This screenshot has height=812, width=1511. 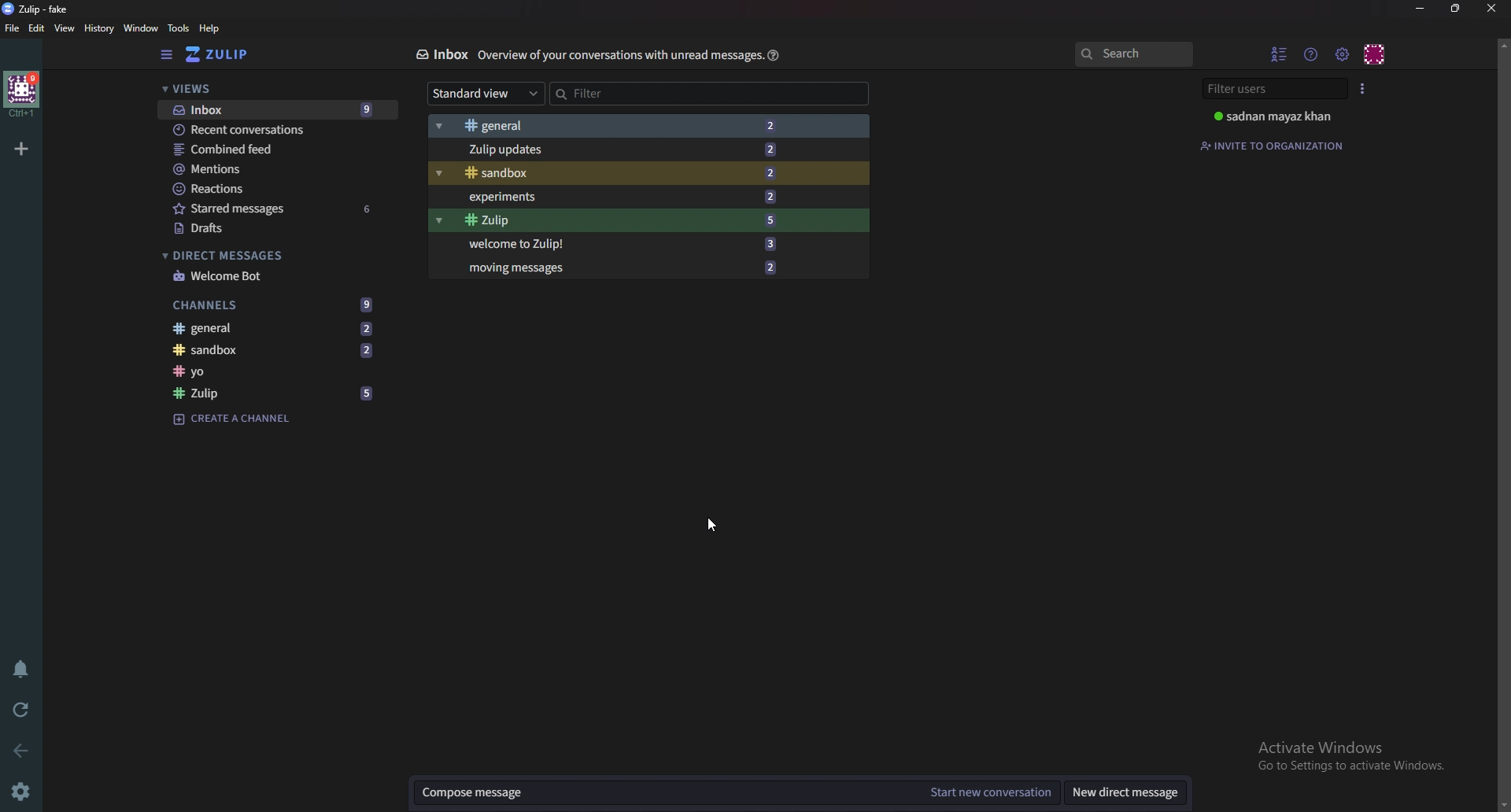 What do you see at coordinates (1131, 792) in the screenshot?
I see `New direct message` at bounding box center [1131, 792].